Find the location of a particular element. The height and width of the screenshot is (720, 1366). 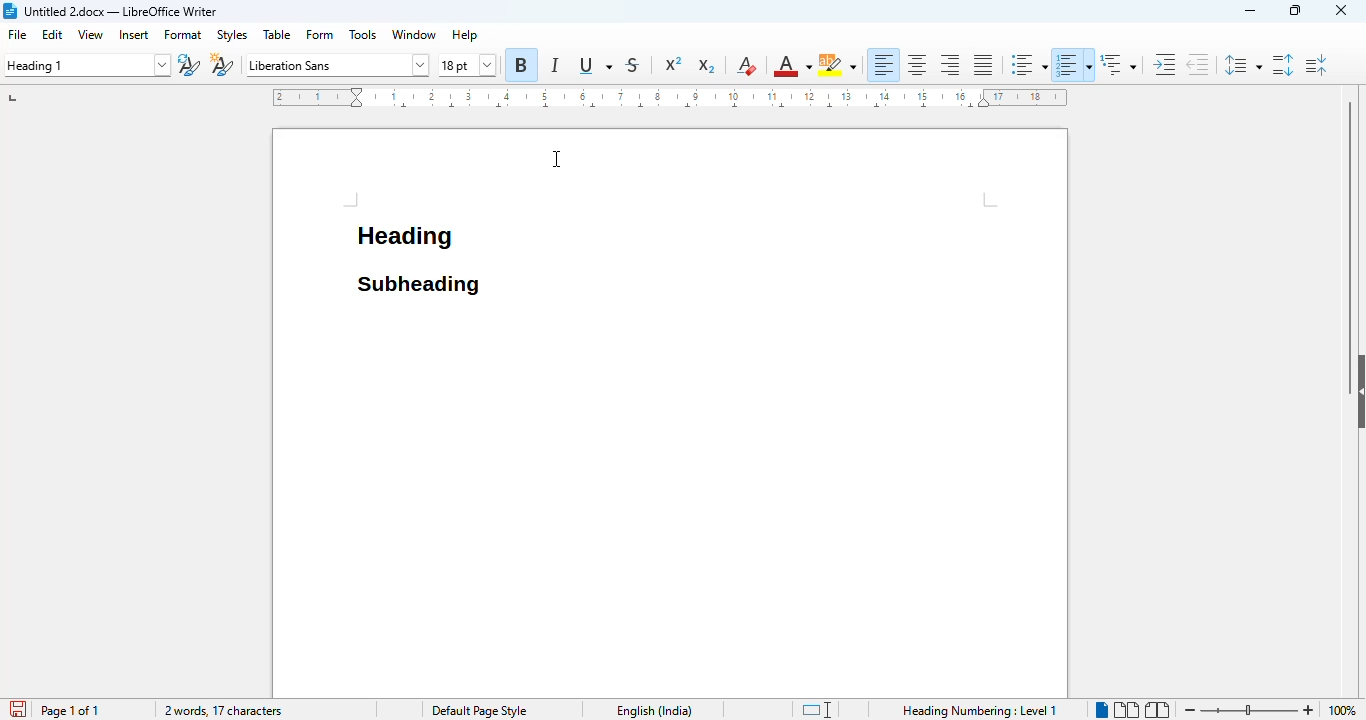

zoom factor is located at coordinates (1344, 710).